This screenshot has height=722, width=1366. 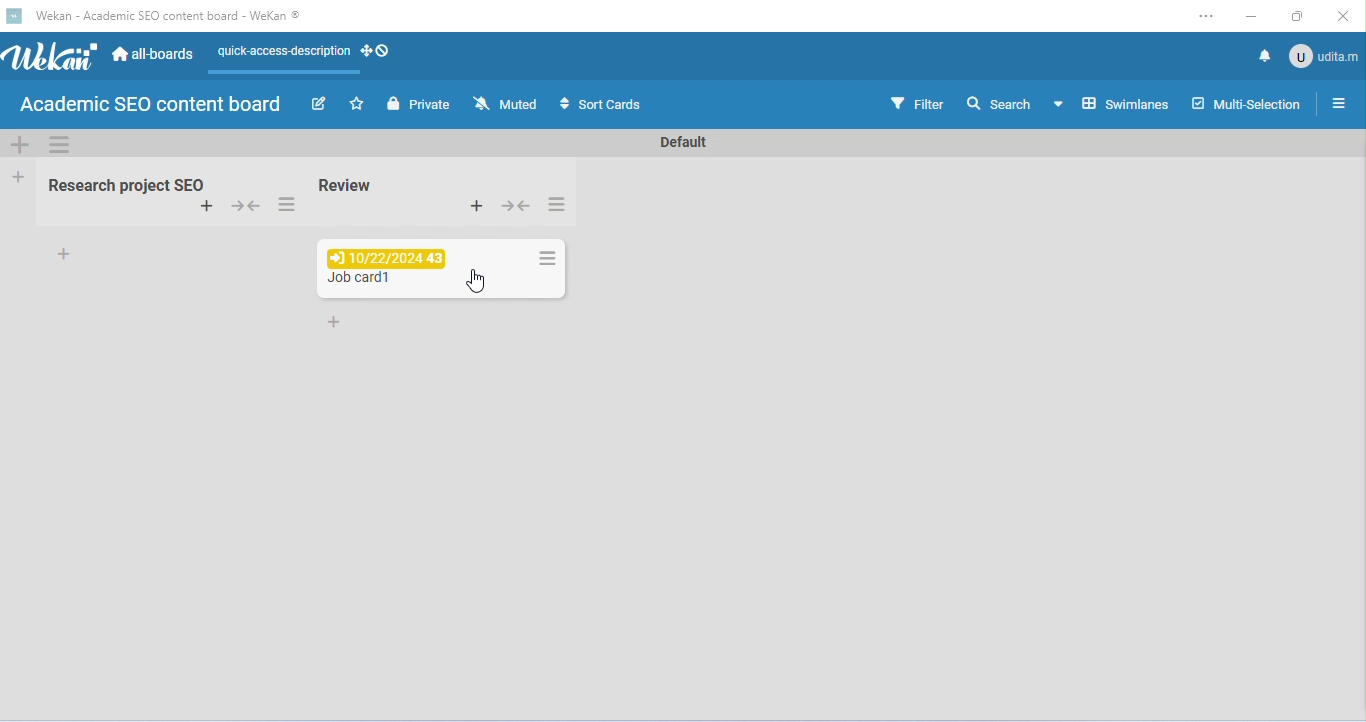 What do you see at coordinates (20, 176) in the screenshot?
I see `add list` at bounding box center [20, 176].